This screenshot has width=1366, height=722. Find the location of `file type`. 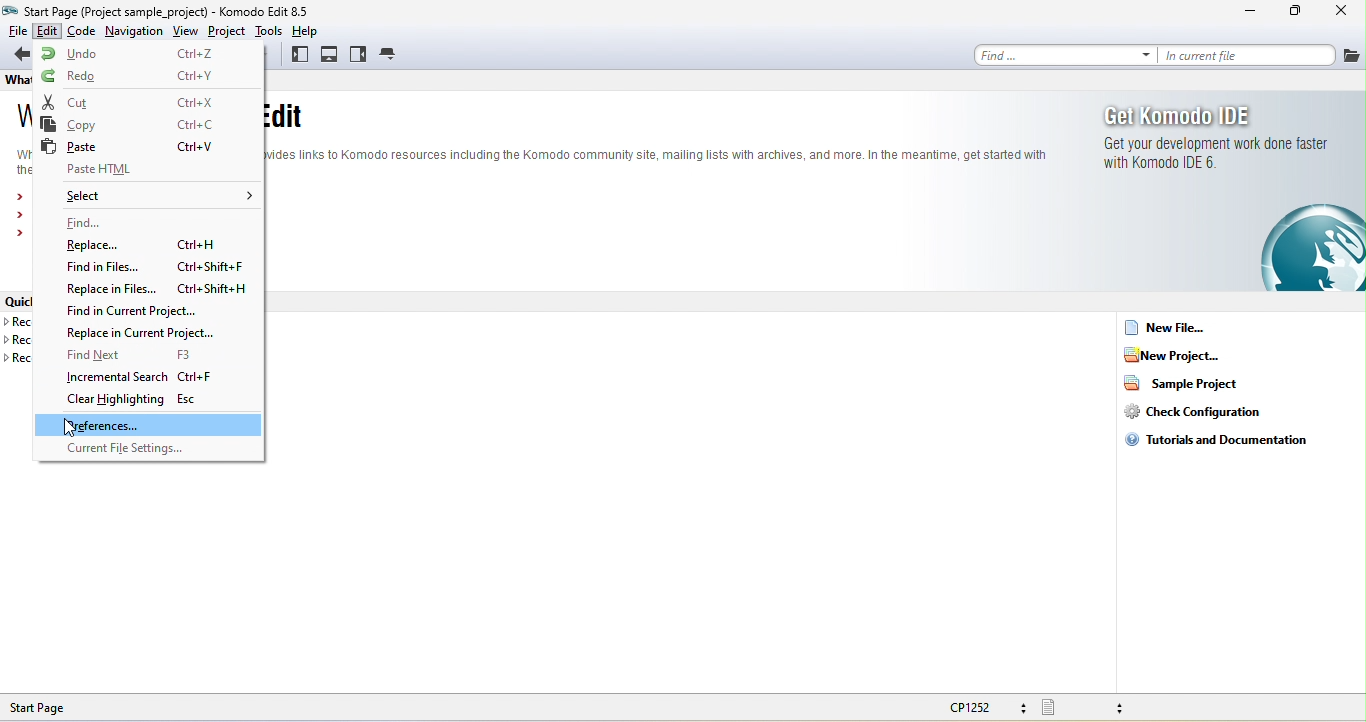

file type is located at coordinates (1089, 708).